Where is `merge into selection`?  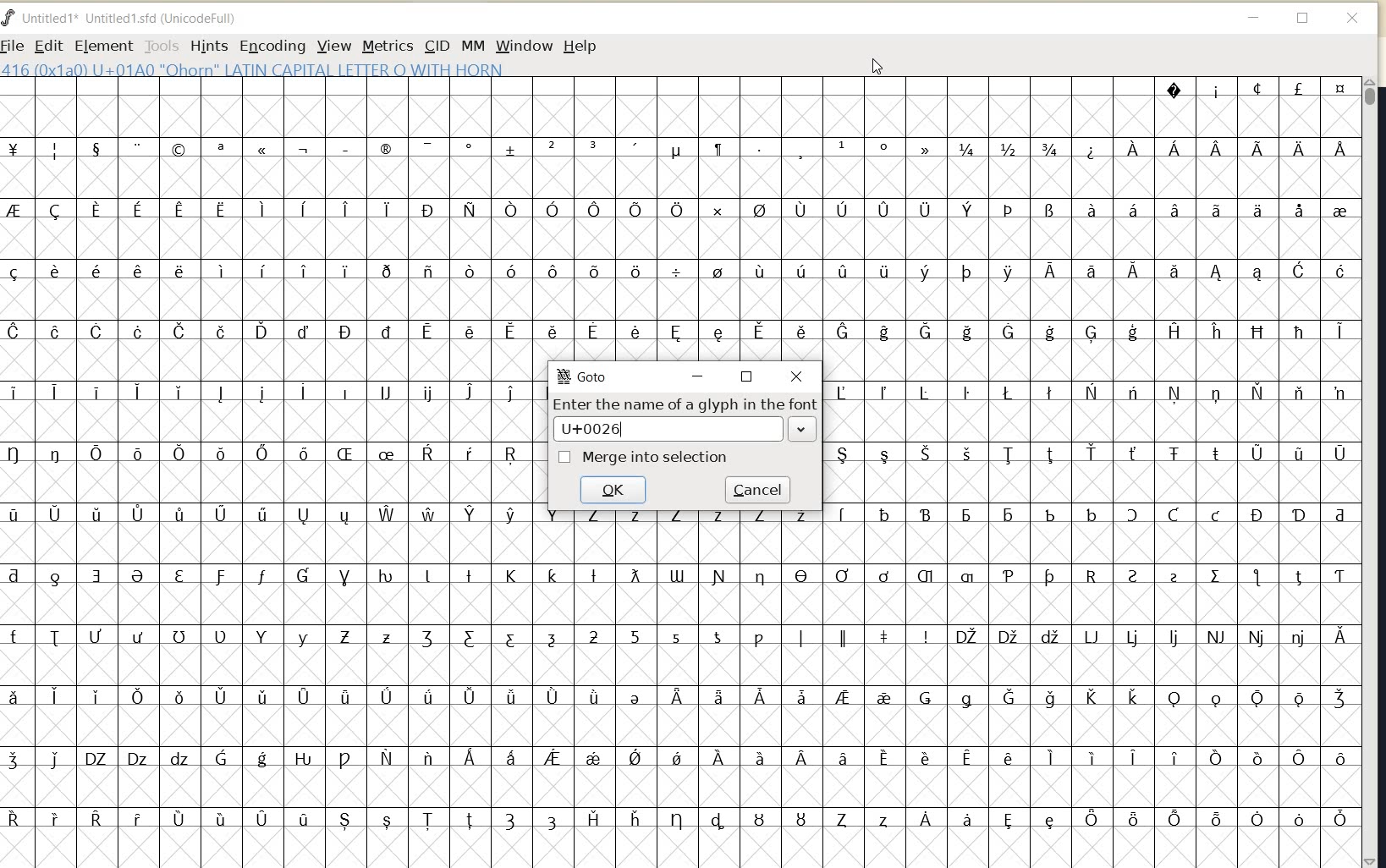
merge into selection is located at coordinates (646, 456).